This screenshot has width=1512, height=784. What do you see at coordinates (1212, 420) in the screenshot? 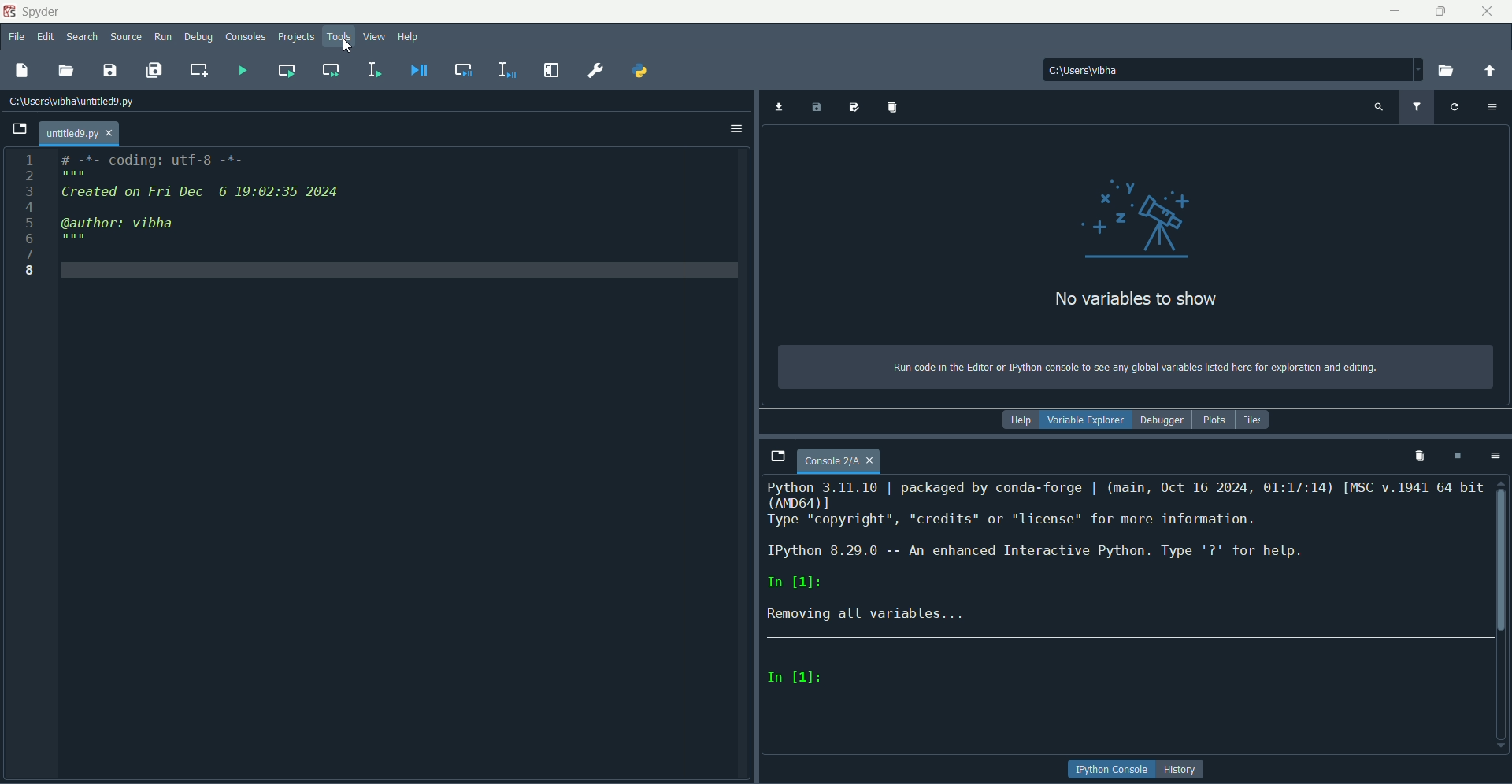
I see `plots` at bounding box center [1212, 420].